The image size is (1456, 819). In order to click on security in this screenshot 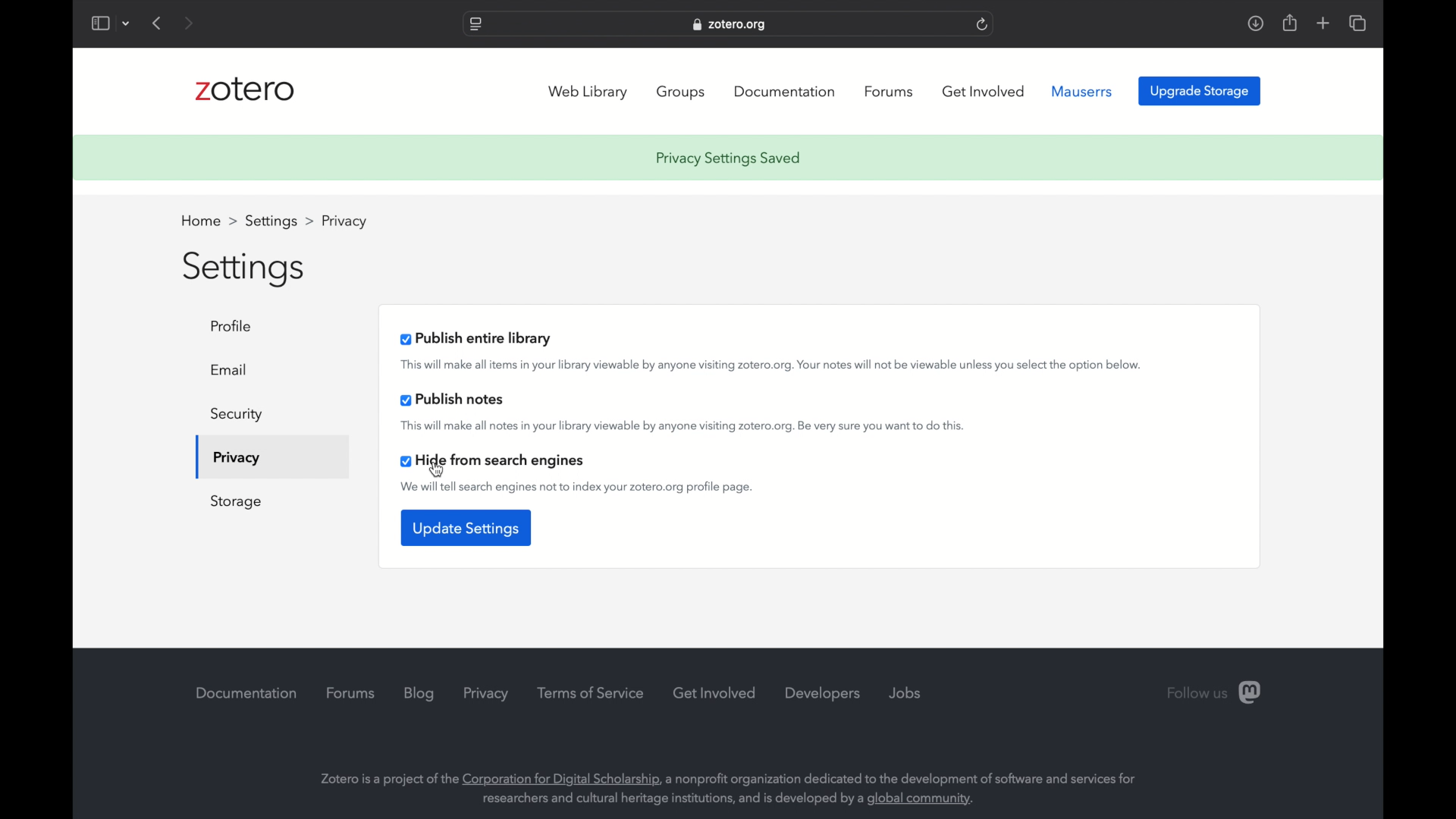, I will do `click(235, 416)`.